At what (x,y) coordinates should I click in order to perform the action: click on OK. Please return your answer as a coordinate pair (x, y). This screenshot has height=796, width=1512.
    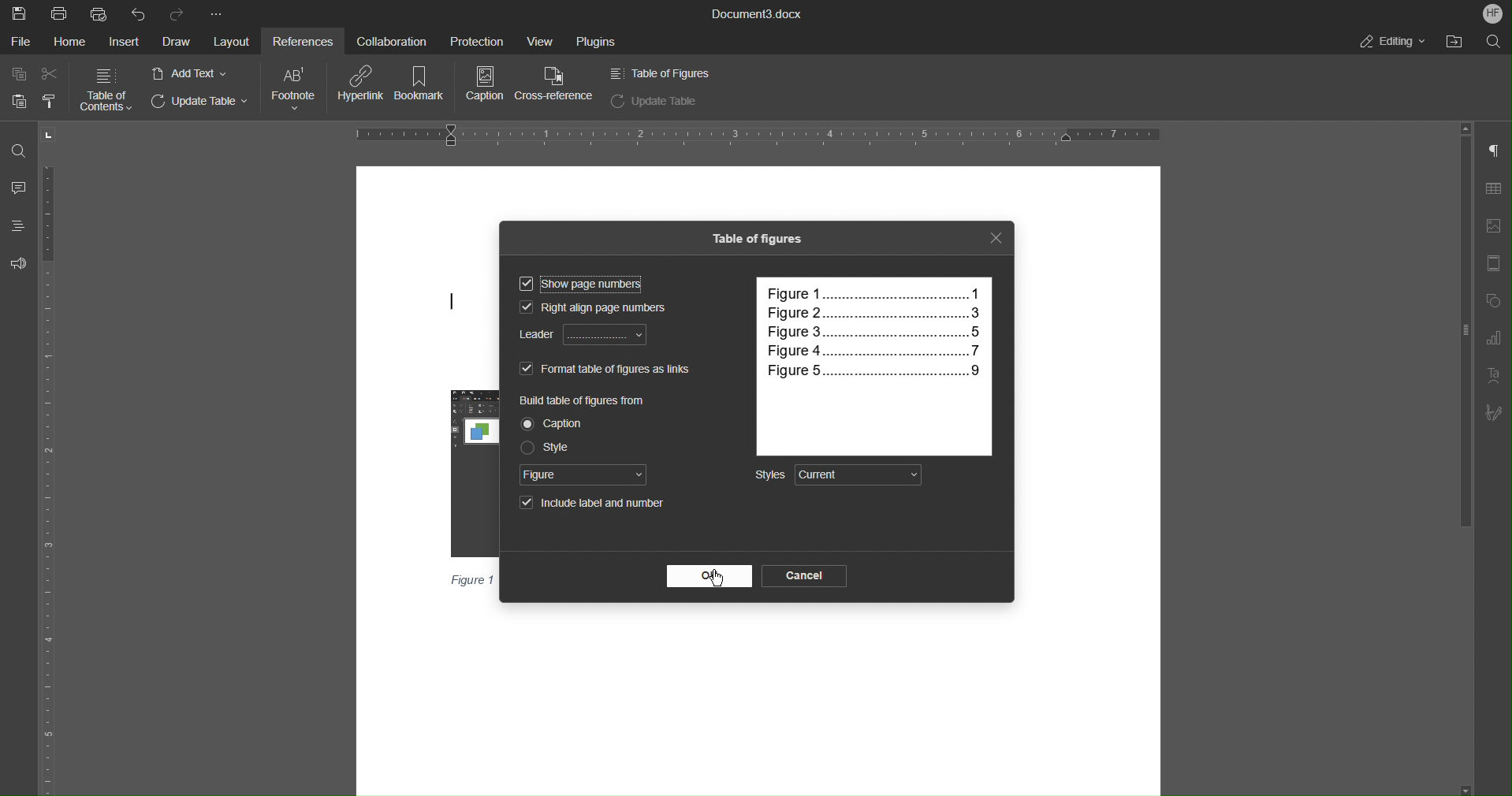
    Looking at the image, I should click on (710, 576).